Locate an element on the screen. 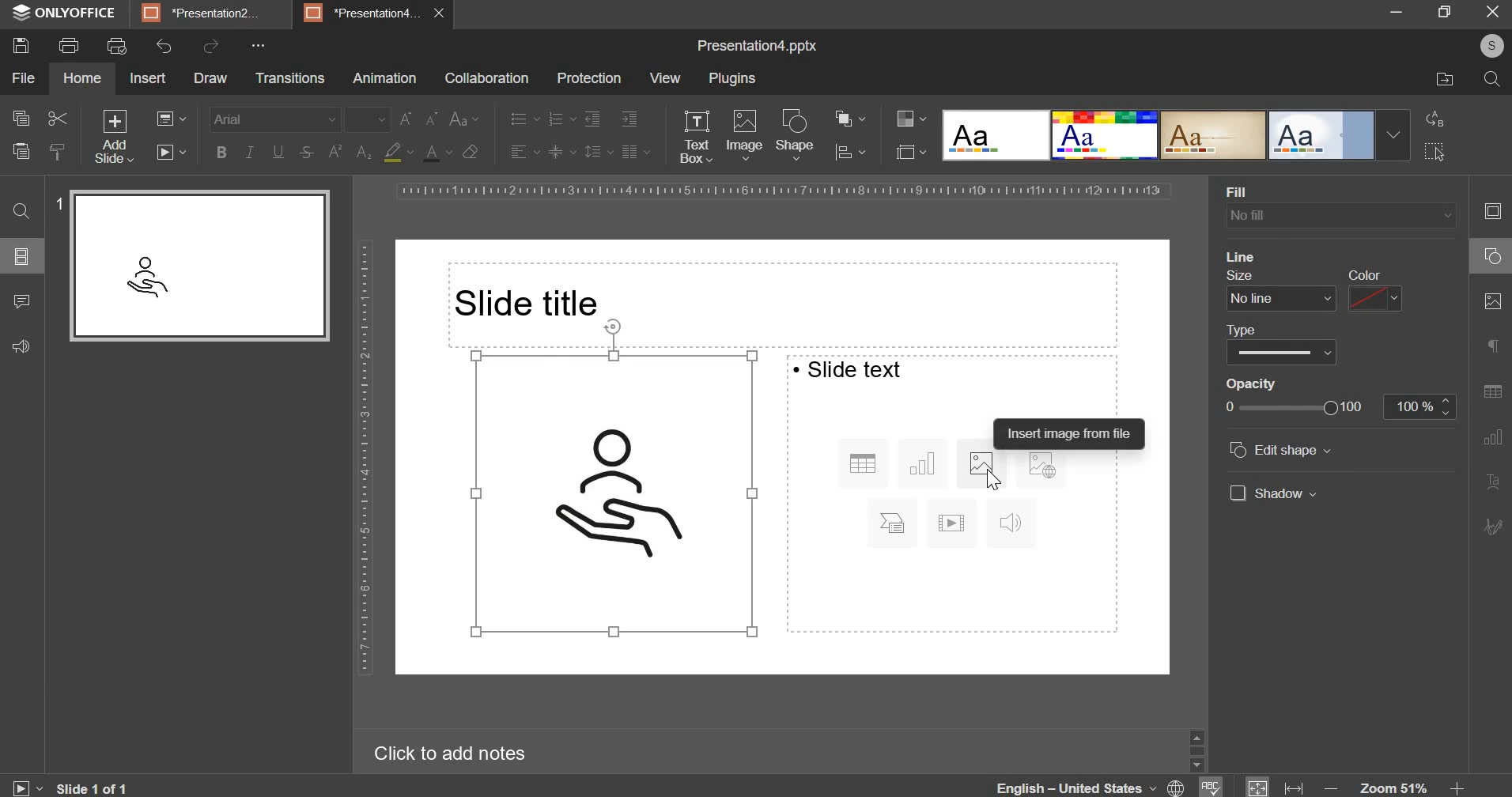  current slide number is located at coordinates (96, 788).